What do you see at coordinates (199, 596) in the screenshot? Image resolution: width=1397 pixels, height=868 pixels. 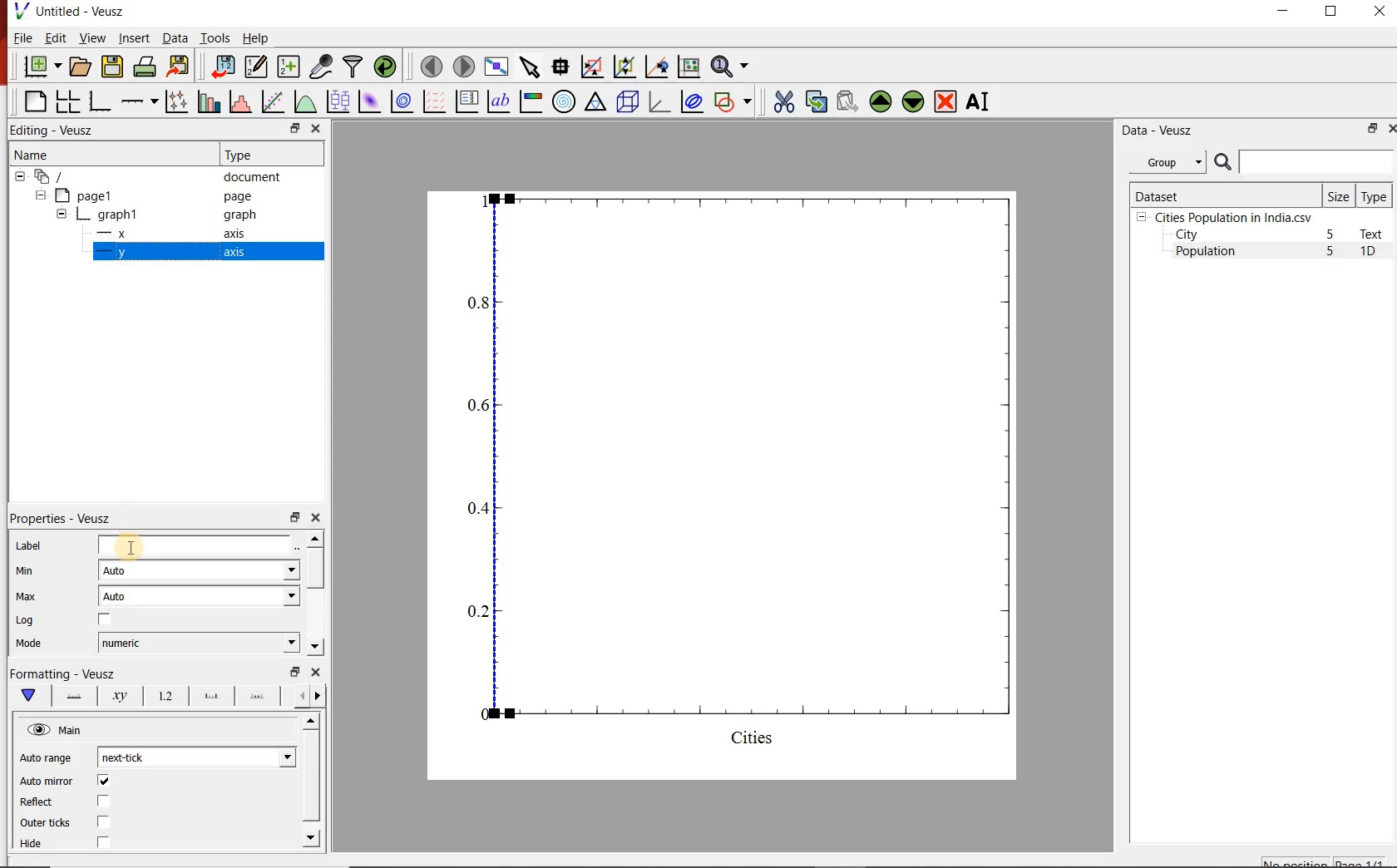 I see `Auto` at bounding box center [199, 596].